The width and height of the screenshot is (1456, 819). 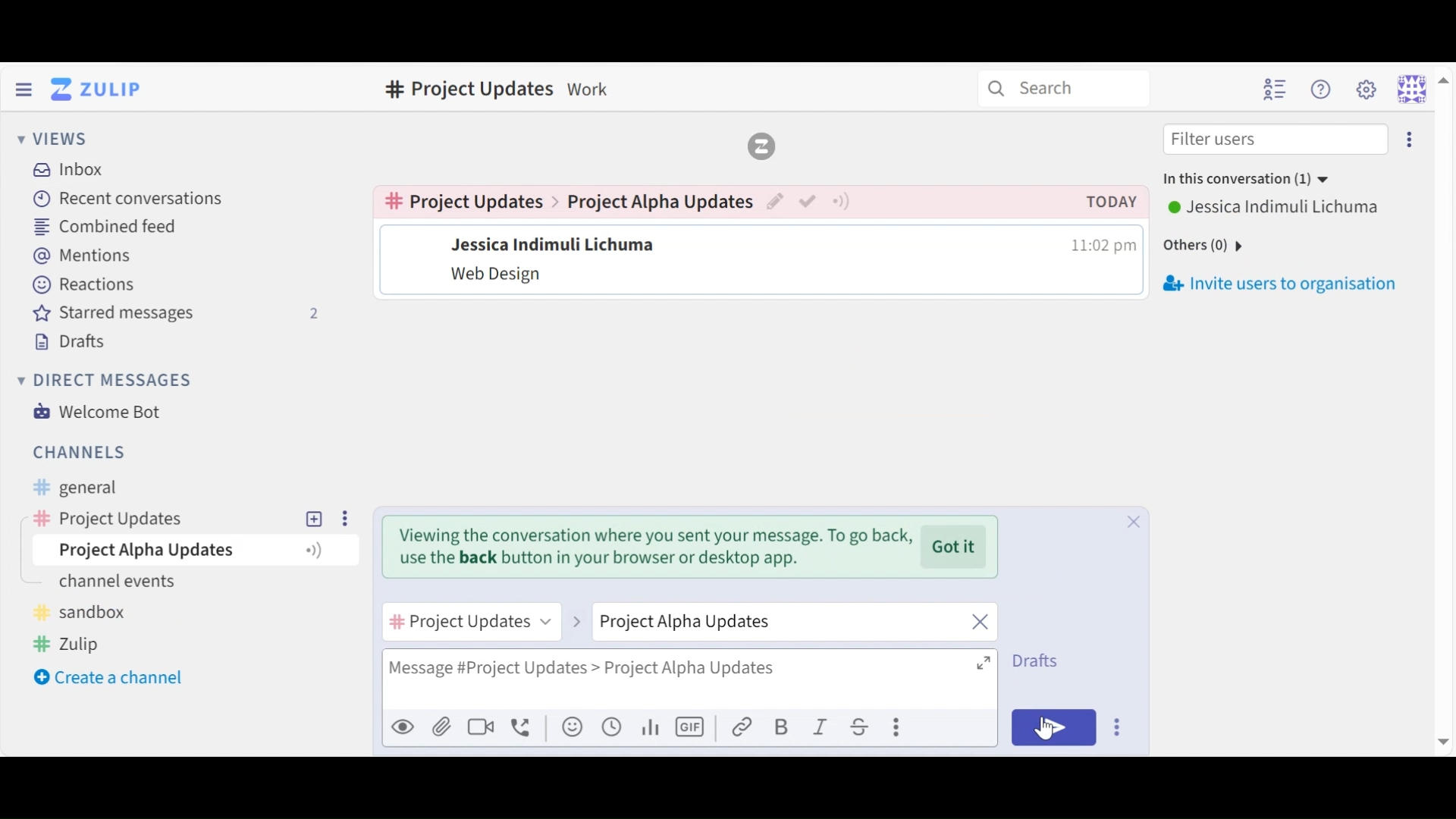 What do you see at coordinates (72, 488) in the screenshot?
I see `General Channel` at bounding box center [72, 488].